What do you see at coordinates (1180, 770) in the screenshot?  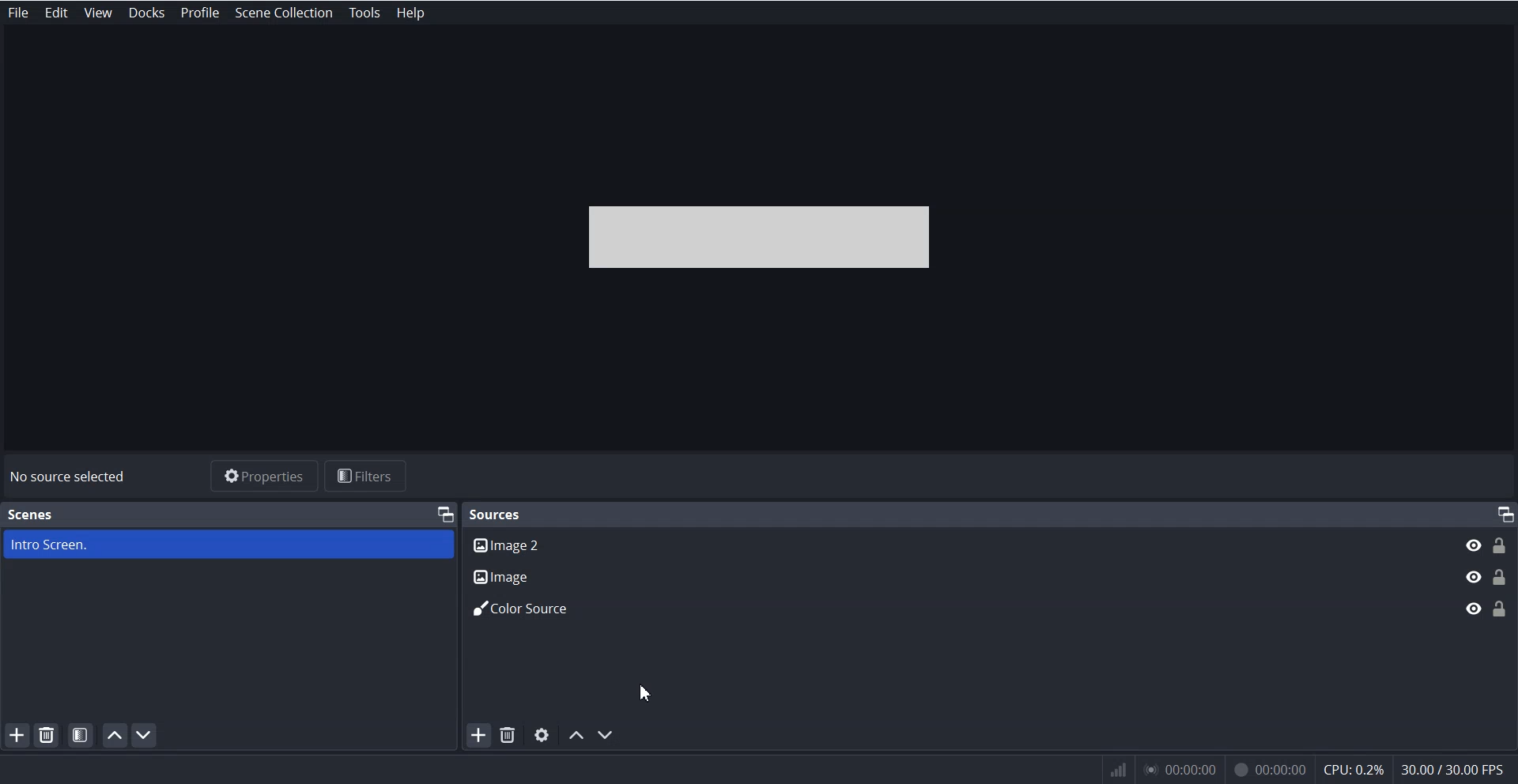 I see `00:00:00` at bounding box center [1180, 770].